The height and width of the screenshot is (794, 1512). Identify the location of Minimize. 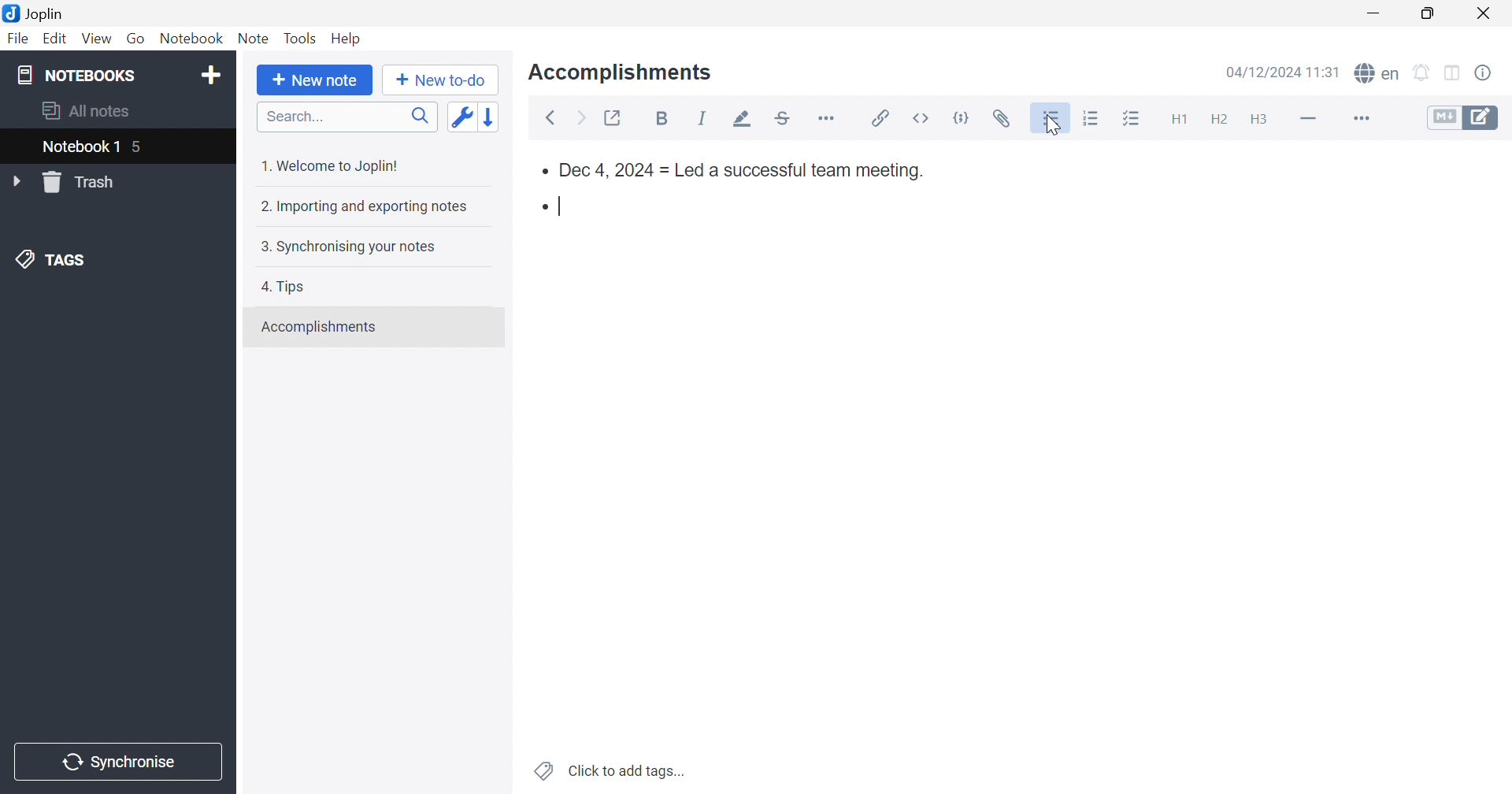
(1372, 14).